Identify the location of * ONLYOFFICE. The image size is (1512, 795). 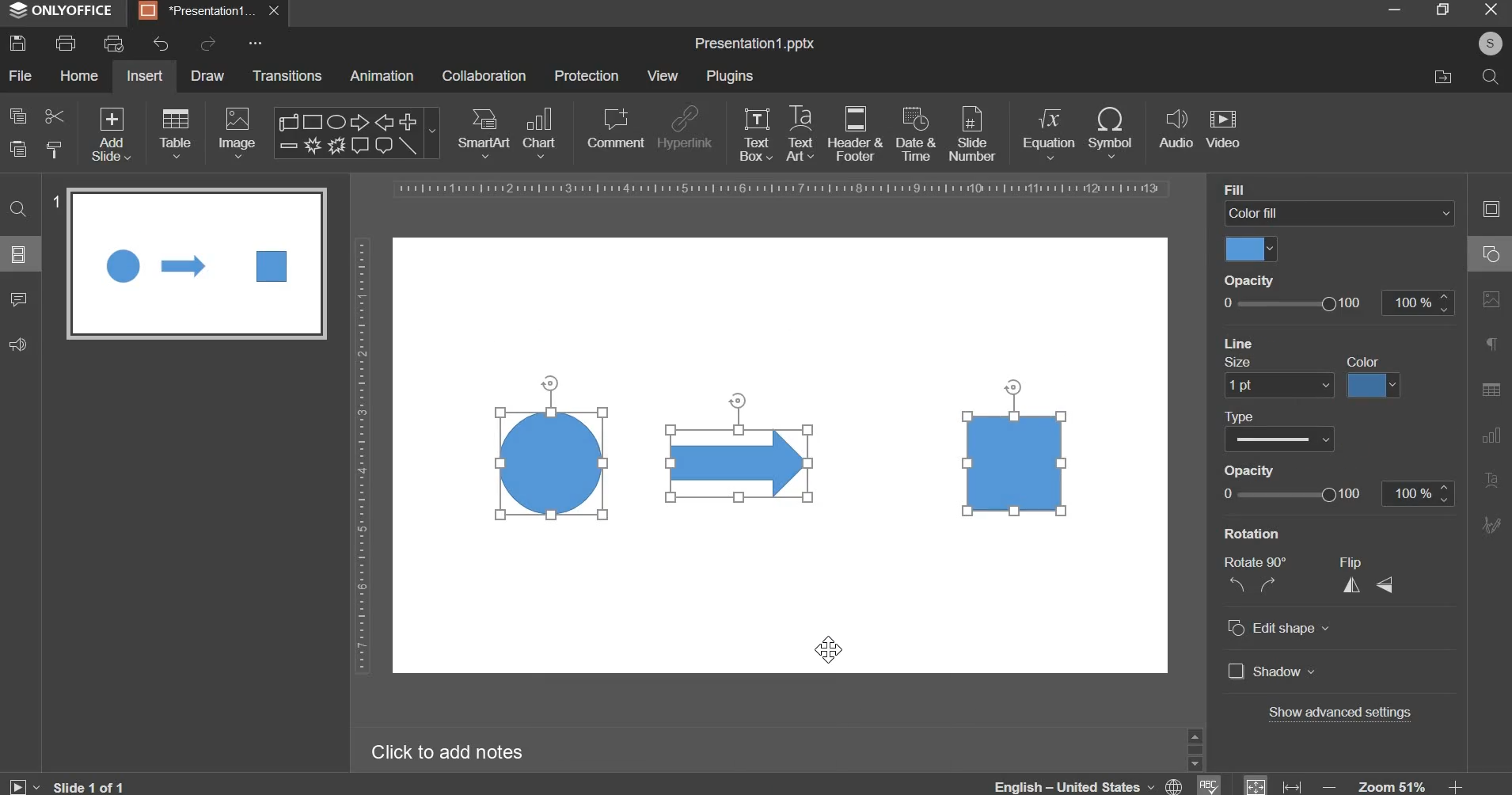
(62, 10).